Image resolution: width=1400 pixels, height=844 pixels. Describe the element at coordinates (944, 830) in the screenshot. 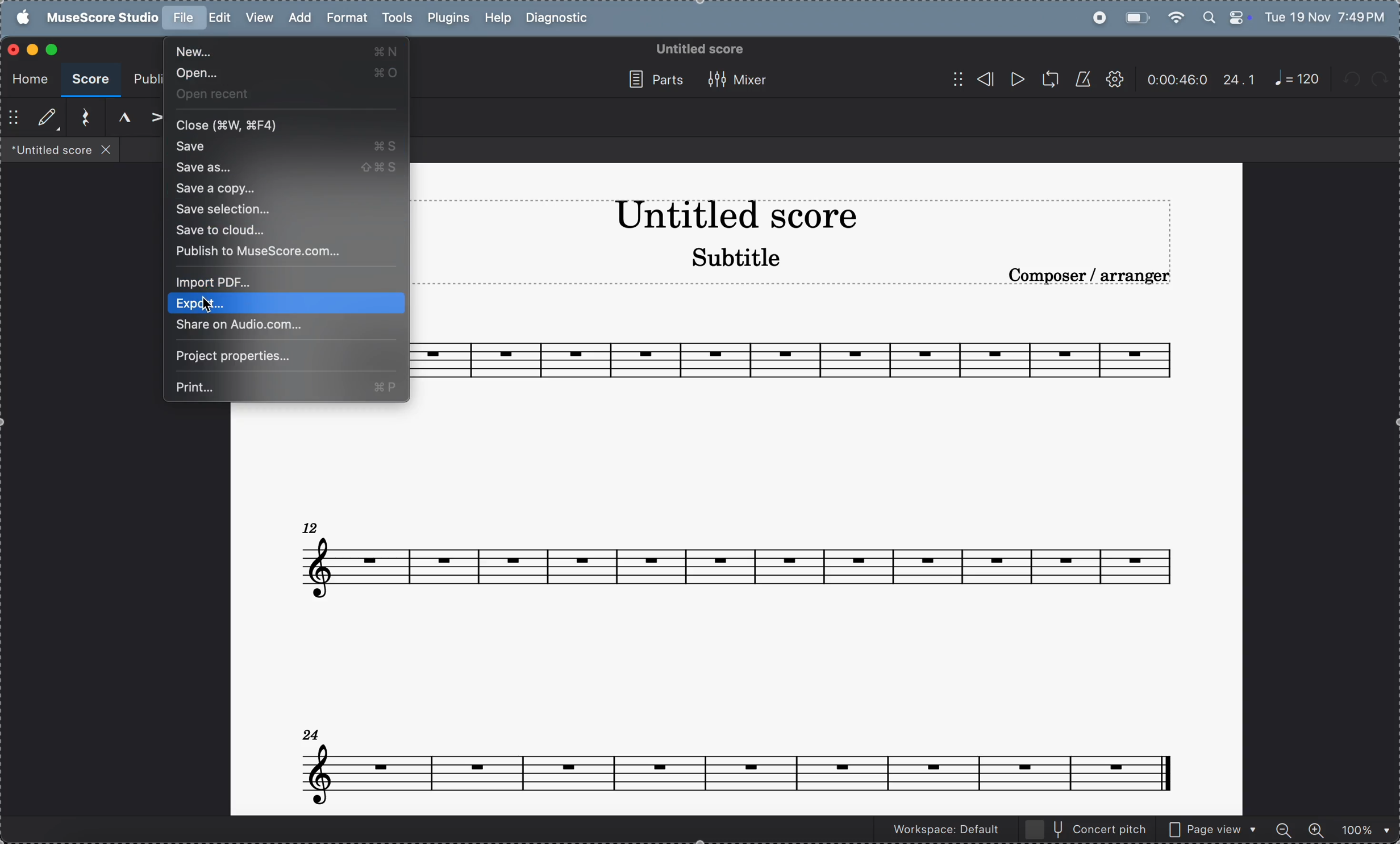

I see `Workspace default` at that location.